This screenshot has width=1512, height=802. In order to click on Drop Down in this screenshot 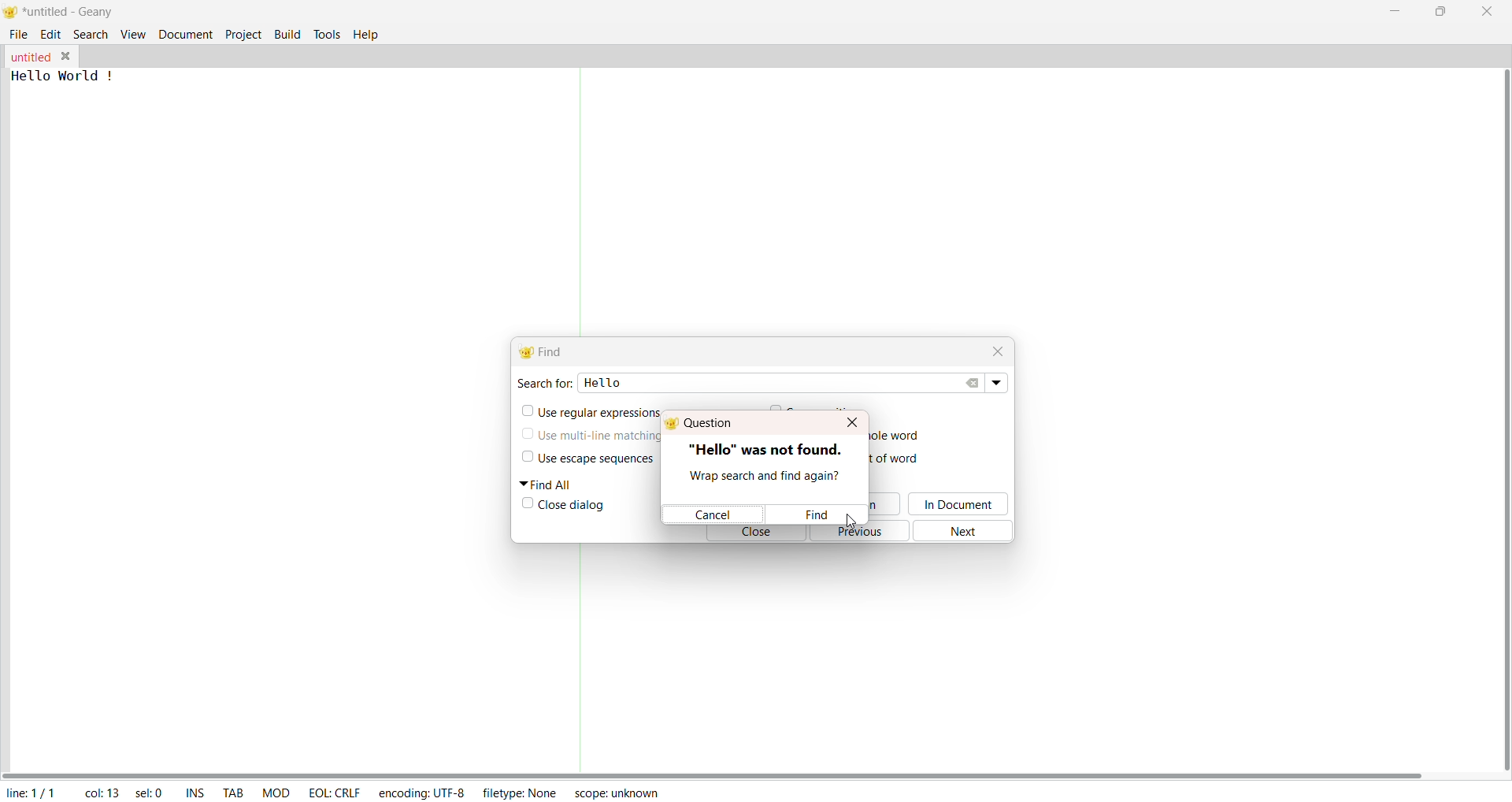, I will do `click(999, 383)`.